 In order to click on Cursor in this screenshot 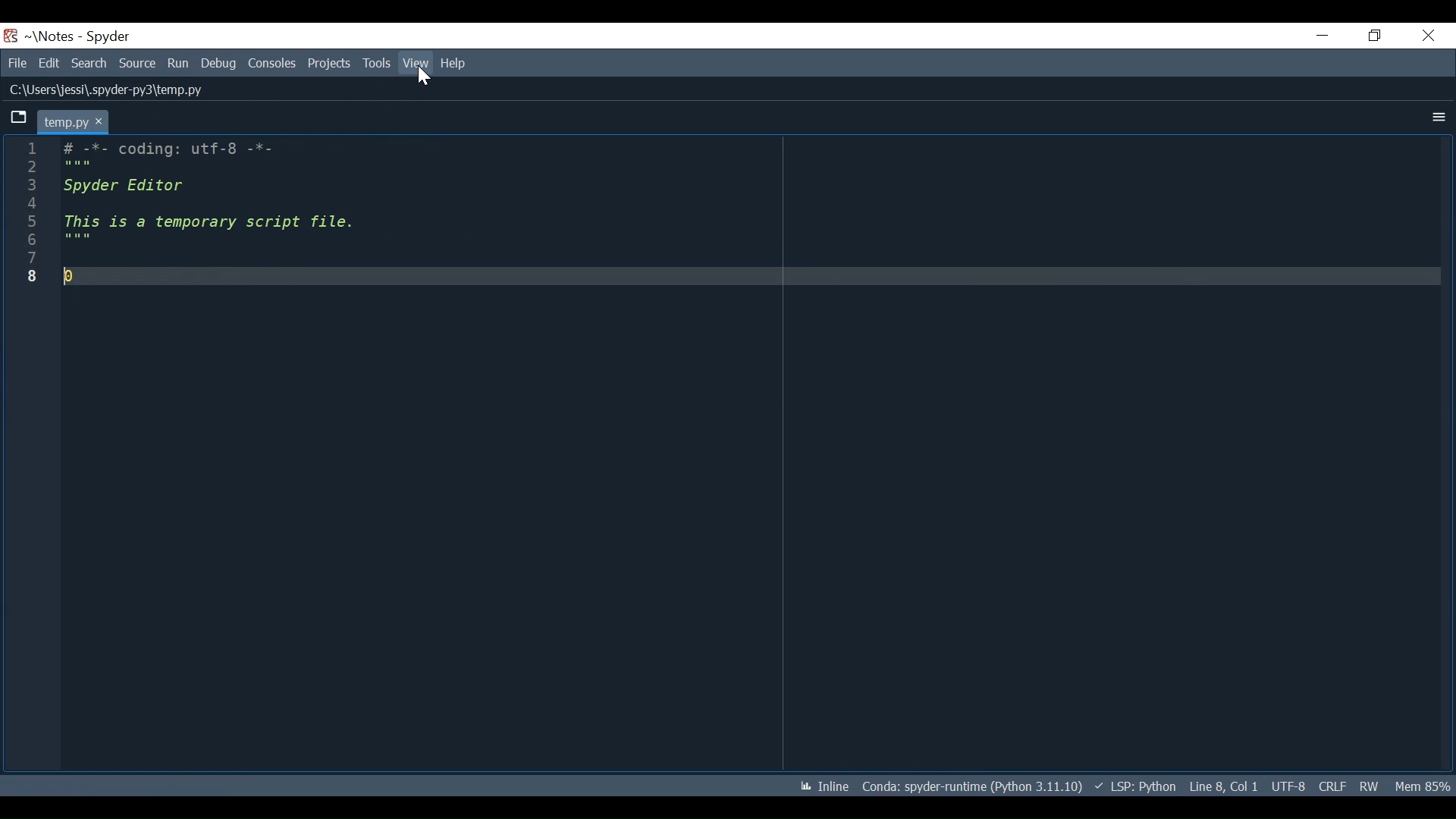, I will do `click(422, 76)`.